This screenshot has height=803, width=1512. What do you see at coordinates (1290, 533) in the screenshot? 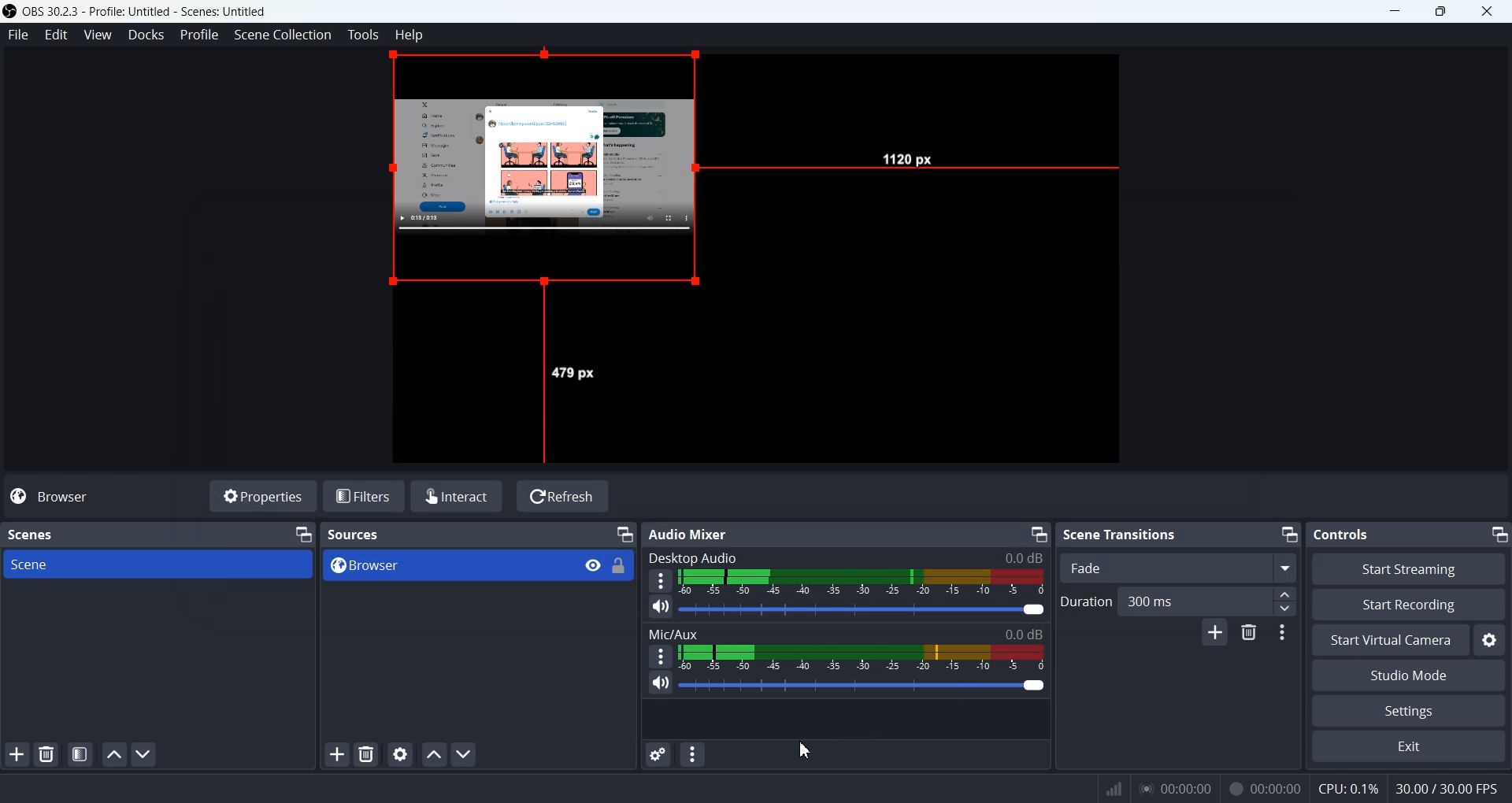
I see `Minimize` at bounding box center [1290, 533].